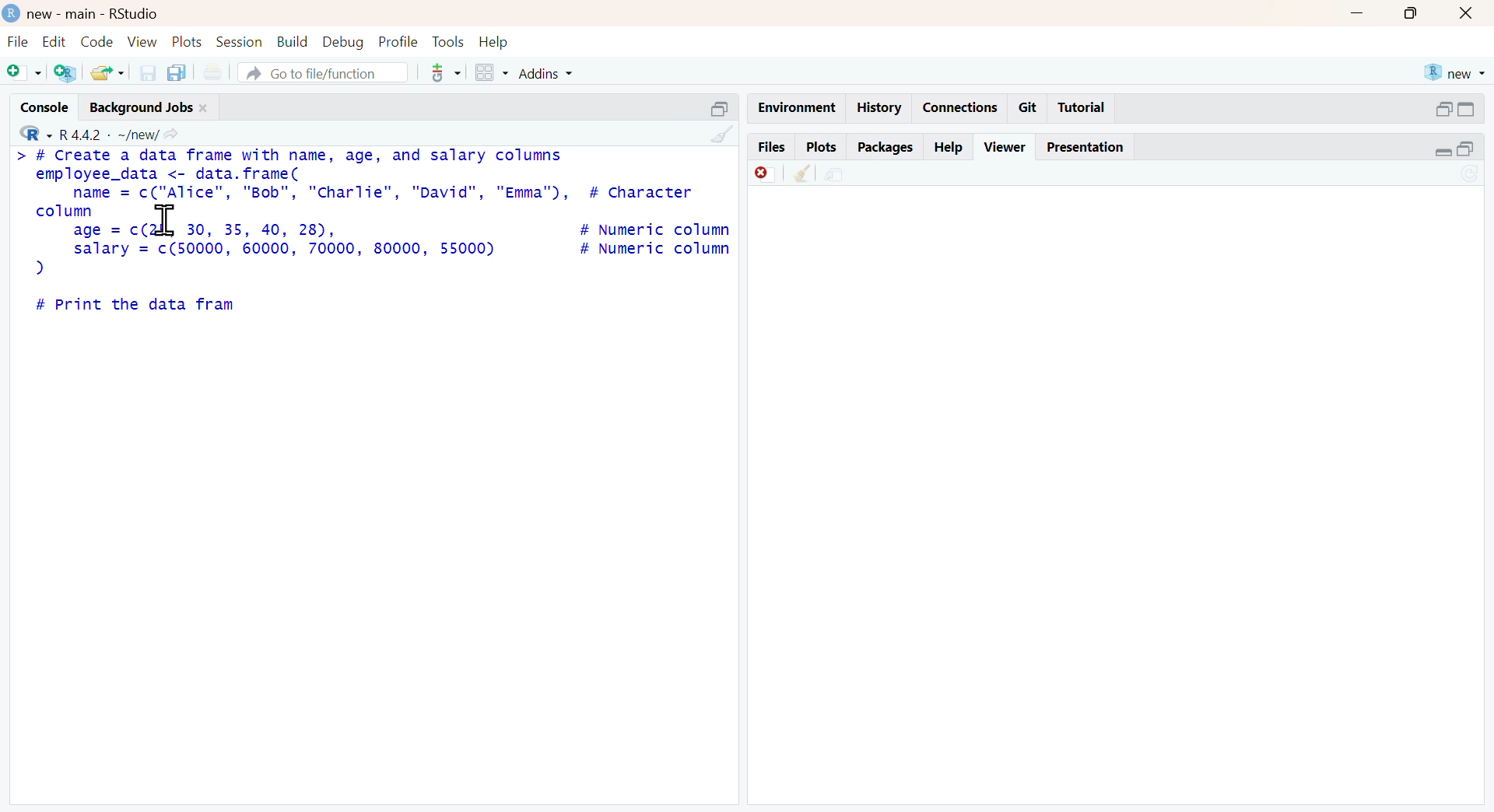 Image resolution: width=1494 pixels, height=812 pixels. Describe the element at coordinates (1005, 146) in the screenshot. I see `Viewer` at that location.